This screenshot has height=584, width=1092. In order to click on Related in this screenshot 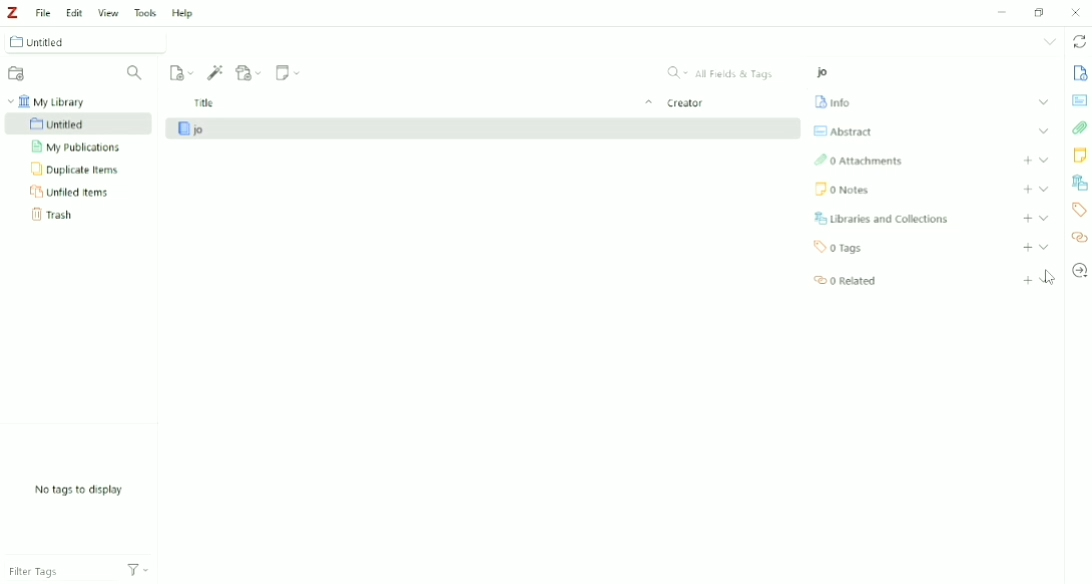, I will do `click(846, 281)`.